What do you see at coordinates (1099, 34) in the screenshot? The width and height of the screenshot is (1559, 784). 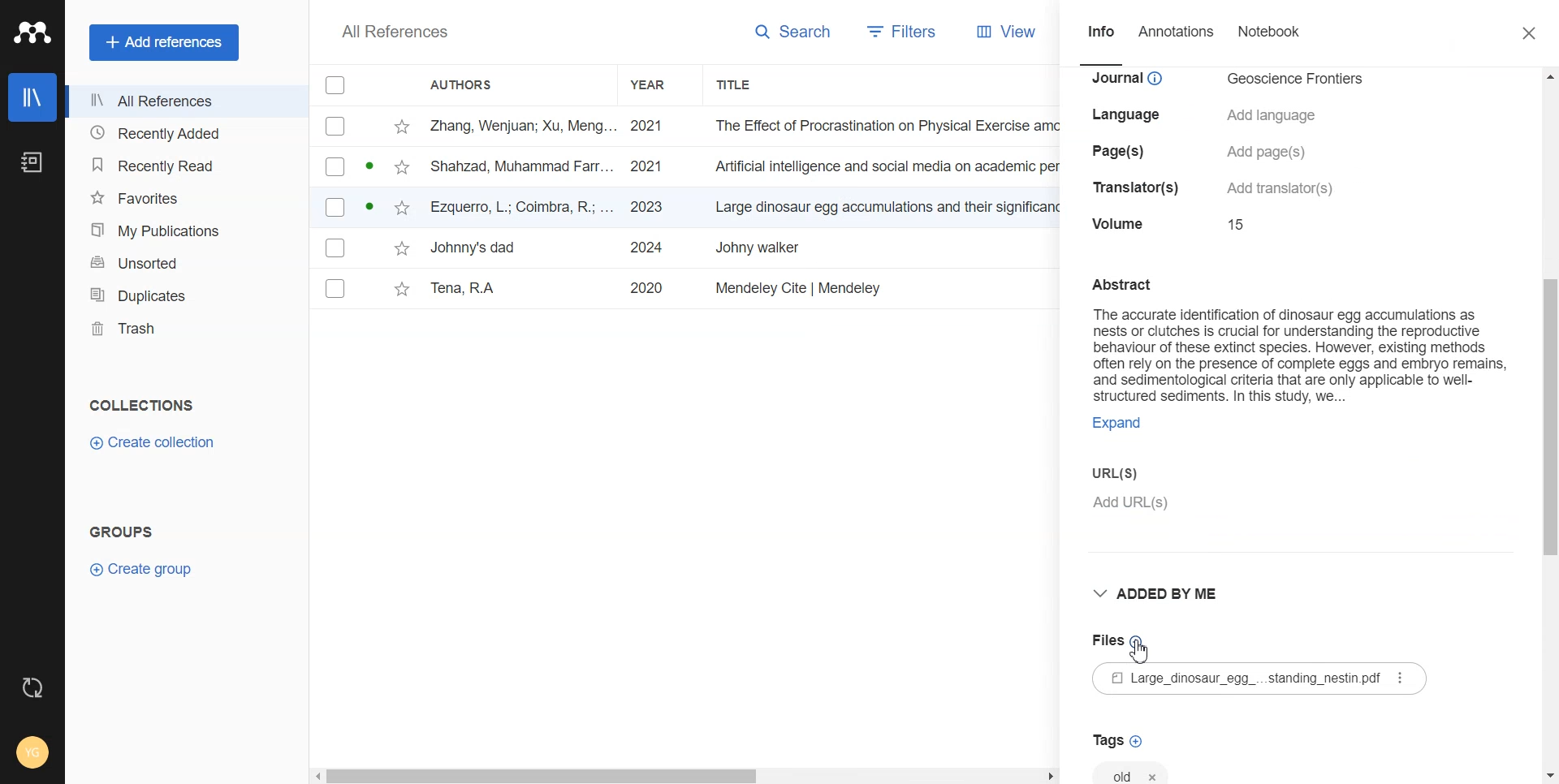 I see `Info` at bounding box center [1099, 34].